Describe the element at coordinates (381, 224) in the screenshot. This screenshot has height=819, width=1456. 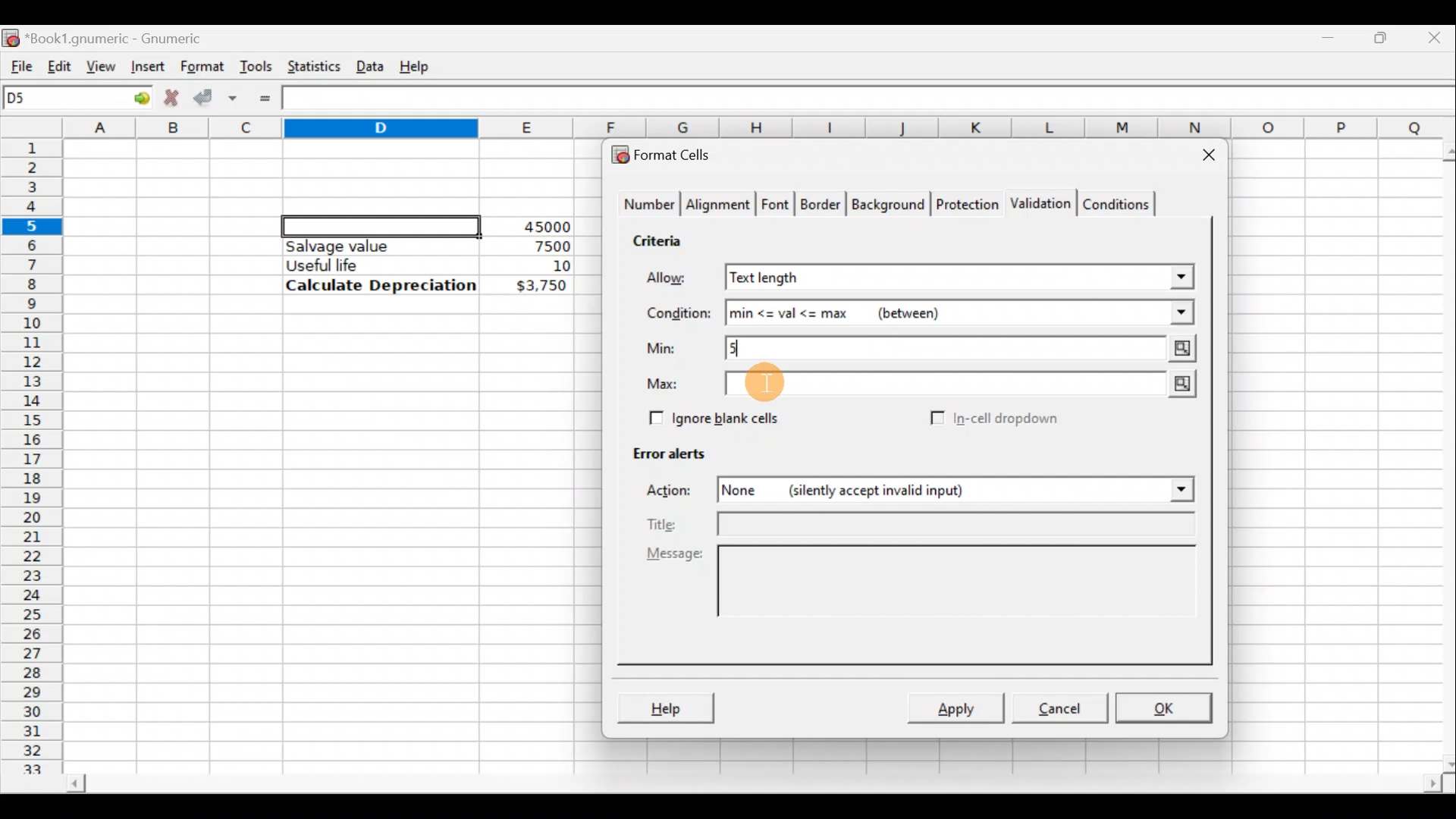
I see `Selected cell` at that location.